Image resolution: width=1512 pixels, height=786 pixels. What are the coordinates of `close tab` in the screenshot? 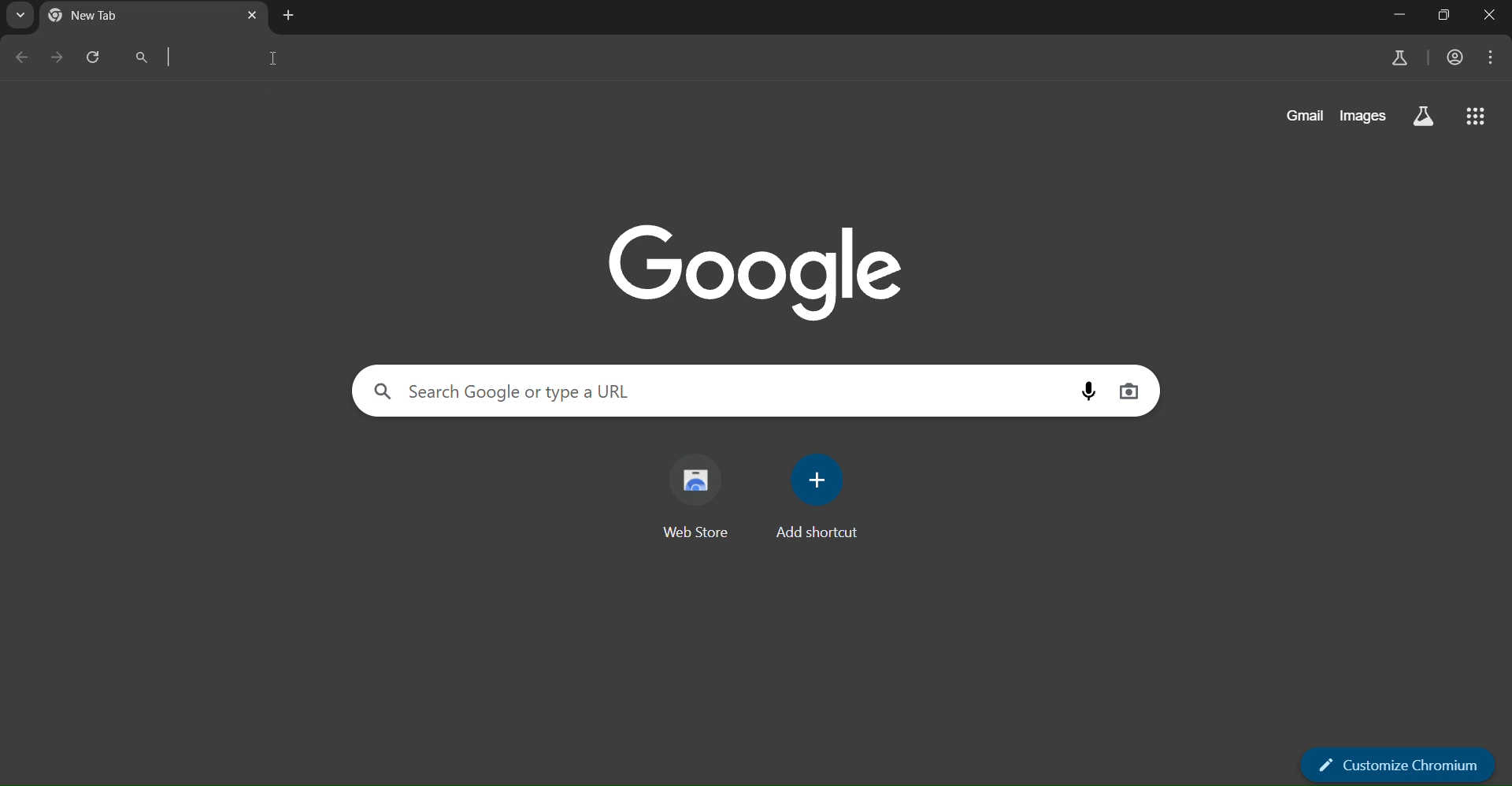 It's located at (252, 15).